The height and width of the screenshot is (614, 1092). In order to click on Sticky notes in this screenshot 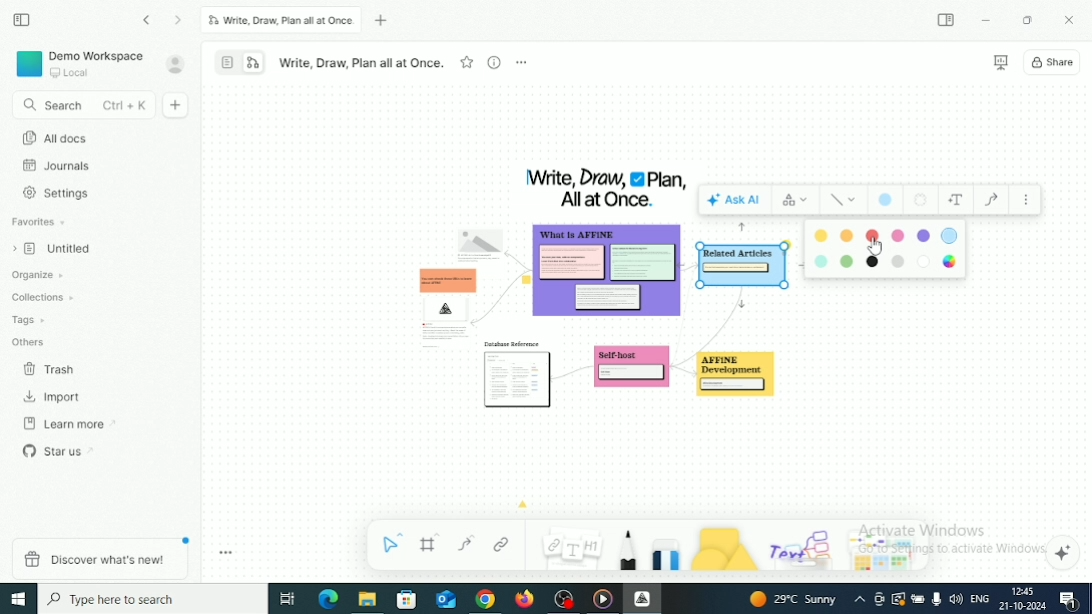, I will do `click(632, 371)`.